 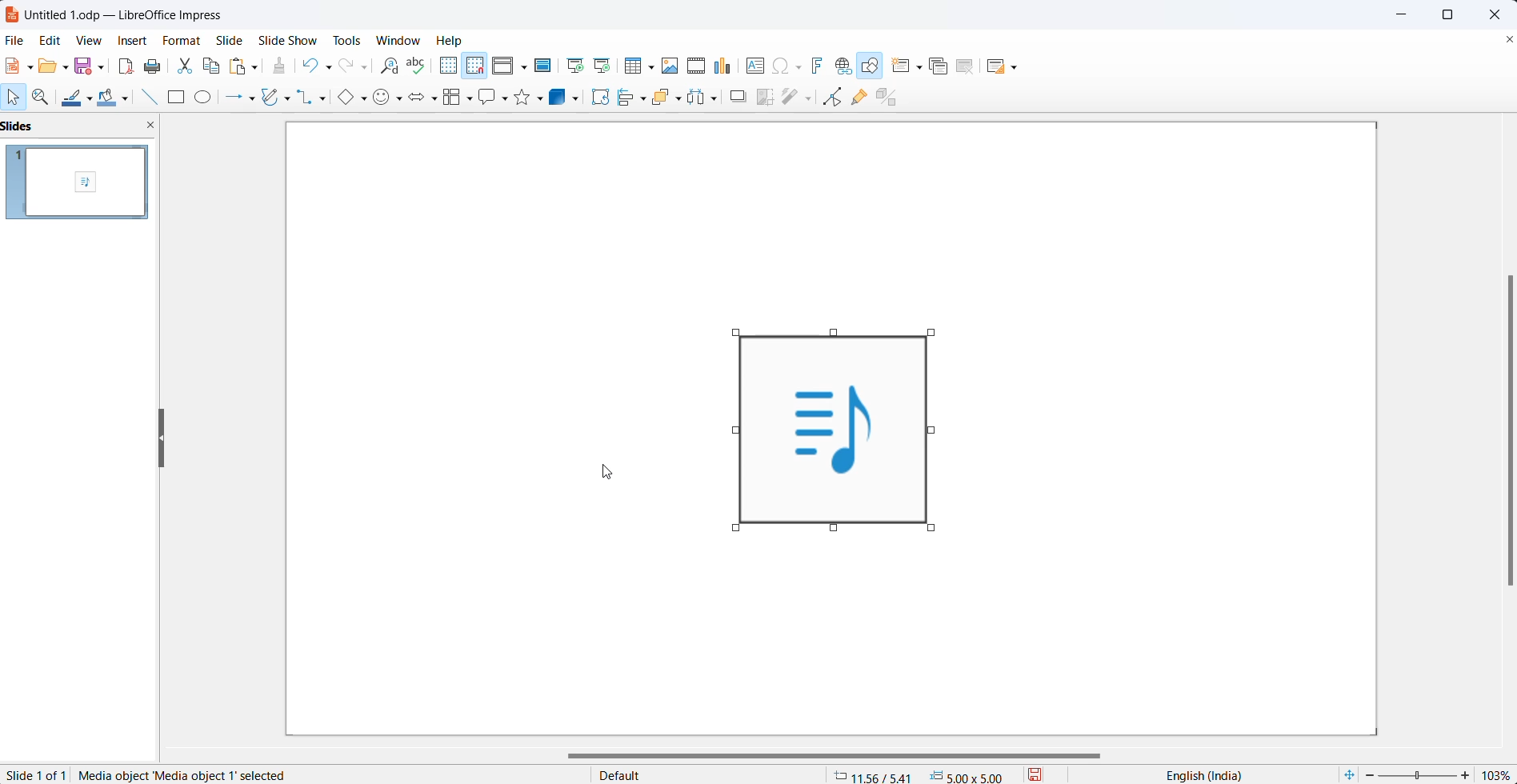 What do you see at coordinates (239, 66) in the screenshot?
I see `paste` at bounding box center [239, 66].